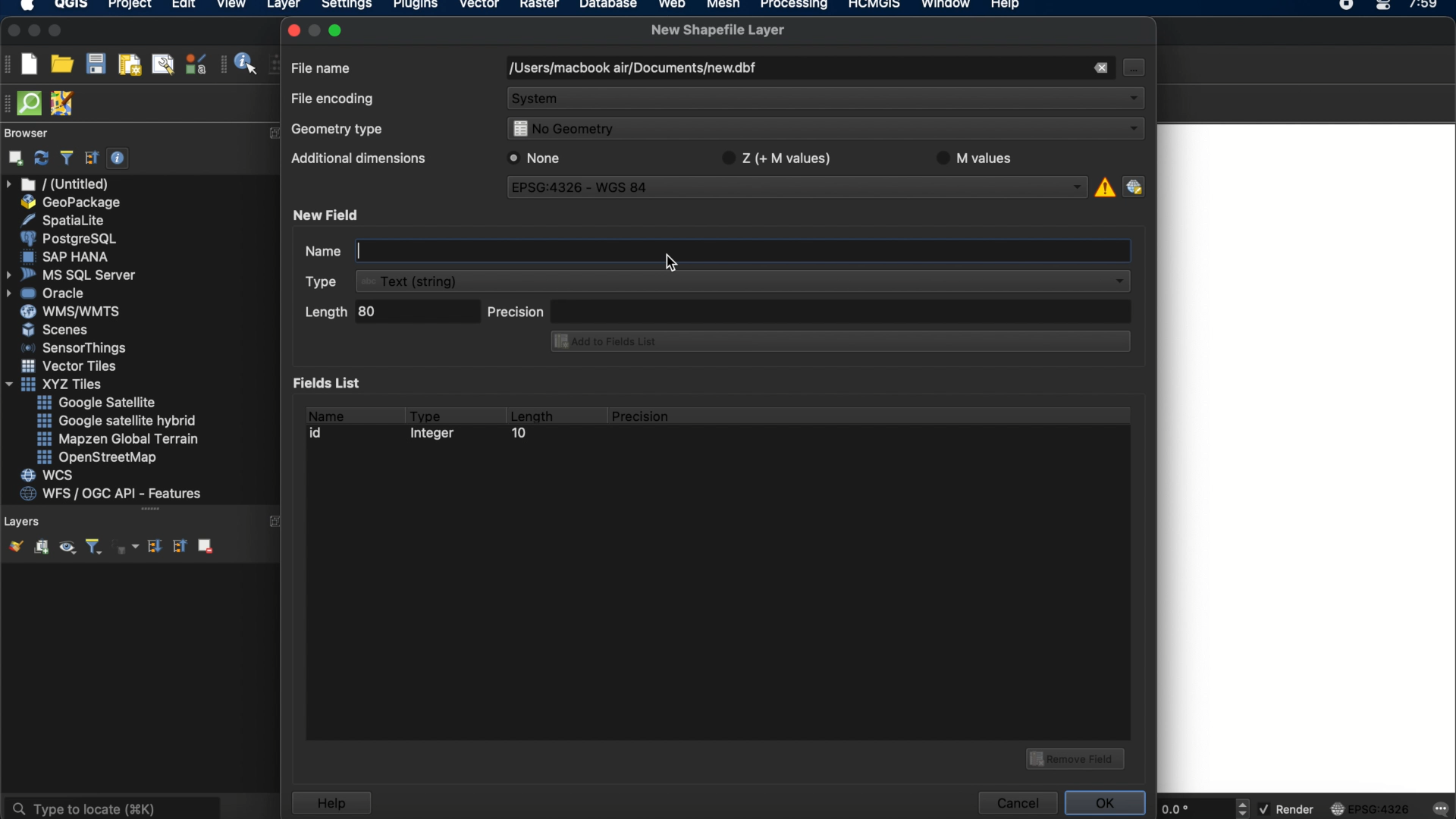 The width and height of the screenshot is (1456, 819). Describe the element at coordinates (59, 184) in the screenshot. I see `untitled` at that location.